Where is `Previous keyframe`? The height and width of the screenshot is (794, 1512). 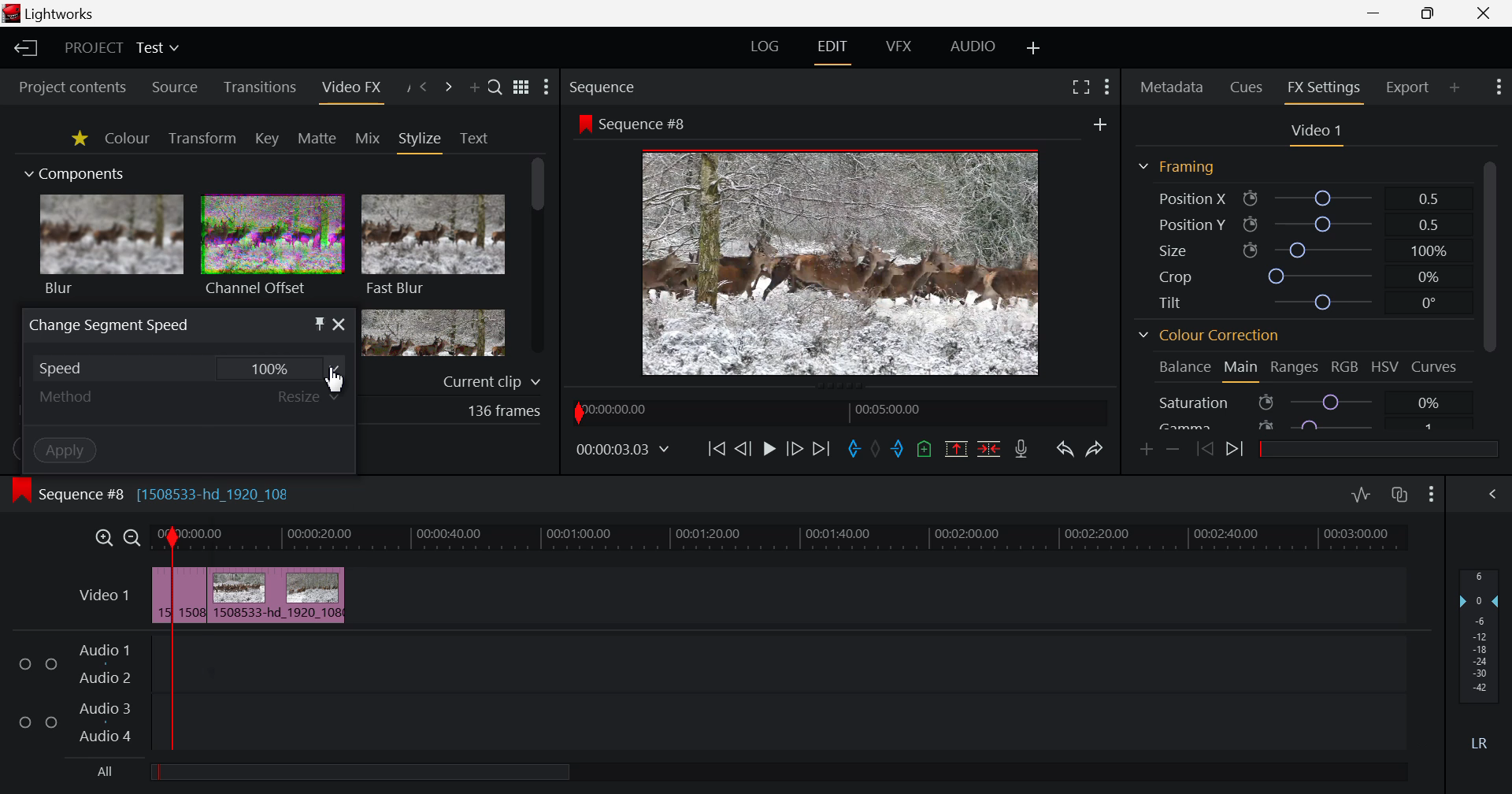
Previous keyframe is located at coordinates (1203, 450).